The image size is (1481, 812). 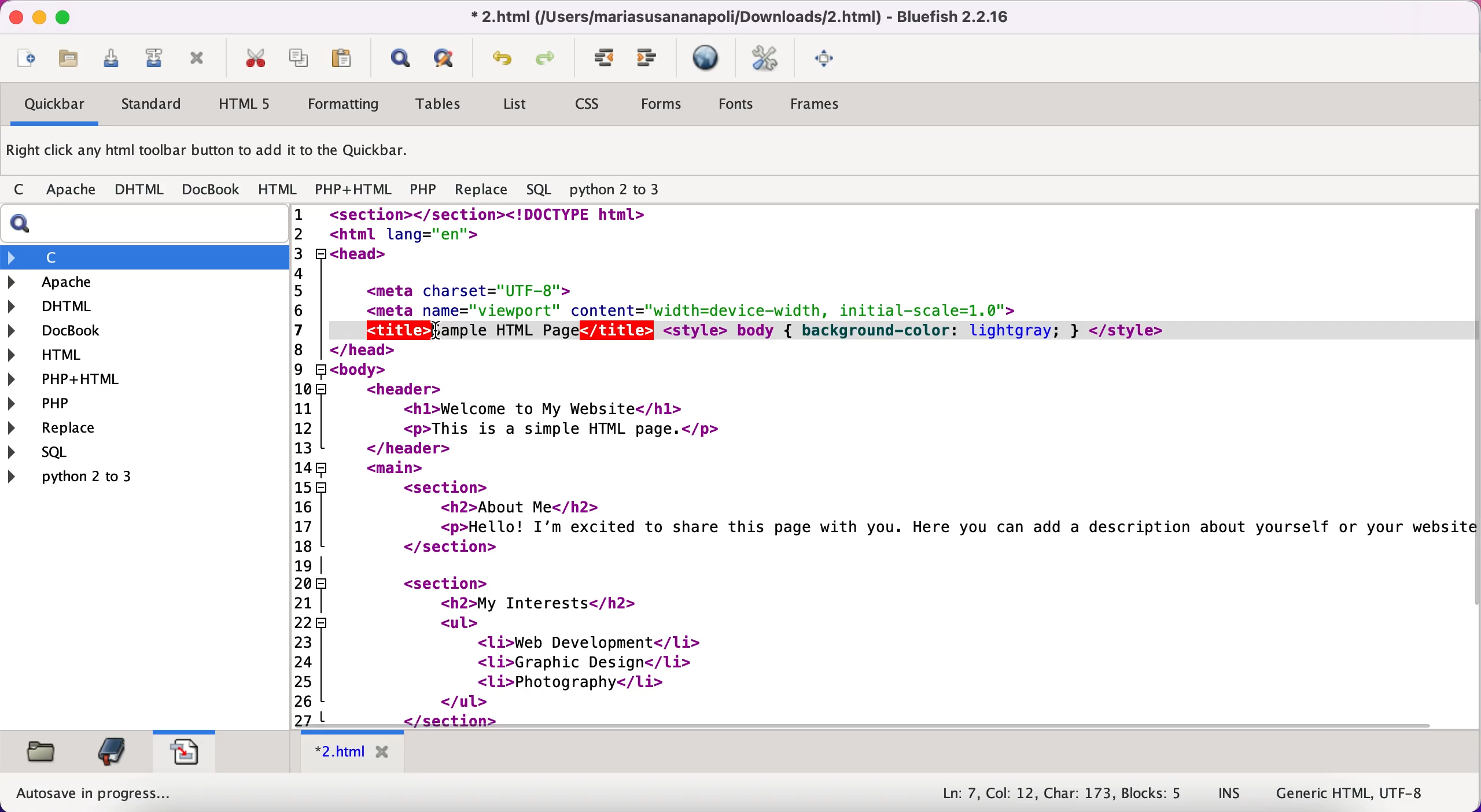 What do you see at coordinates (73, 192) in the screenshot?
I see `apache` at bounding box center [73, 192].